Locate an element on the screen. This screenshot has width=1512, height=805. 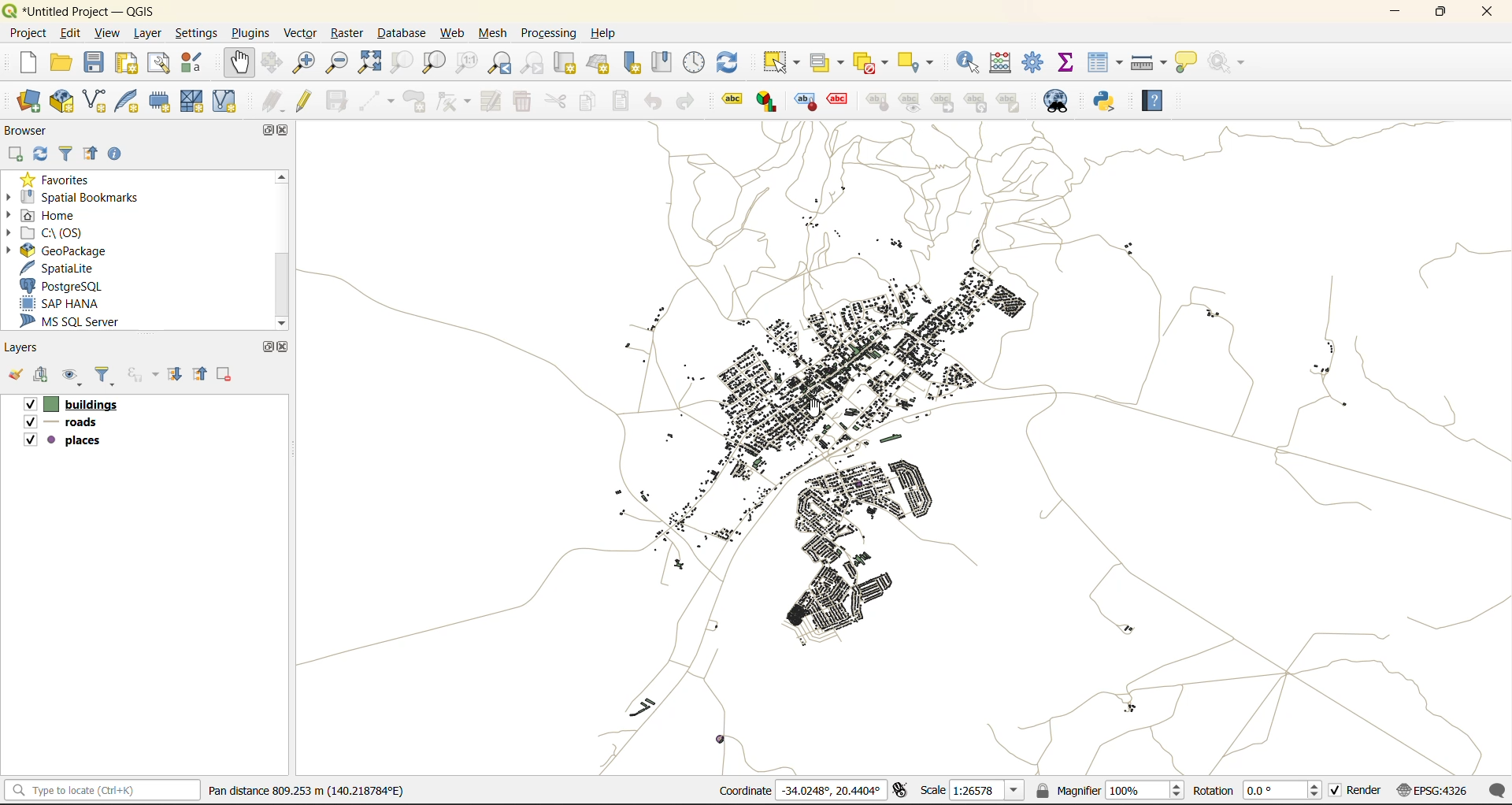
buildings is located at coordinates (70, 403).